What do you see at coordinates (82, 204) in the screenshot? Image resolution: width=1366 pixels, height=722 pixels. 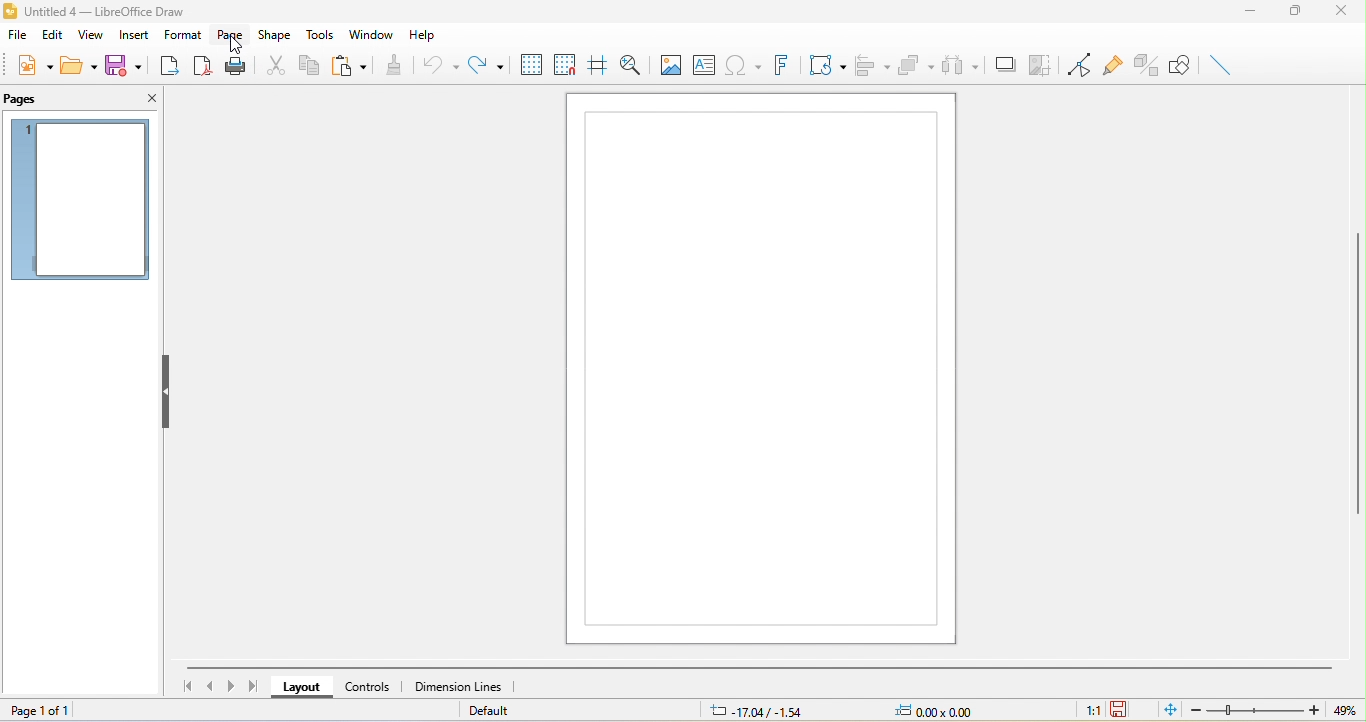 I see `page 1` at bounding box center [82, 204].